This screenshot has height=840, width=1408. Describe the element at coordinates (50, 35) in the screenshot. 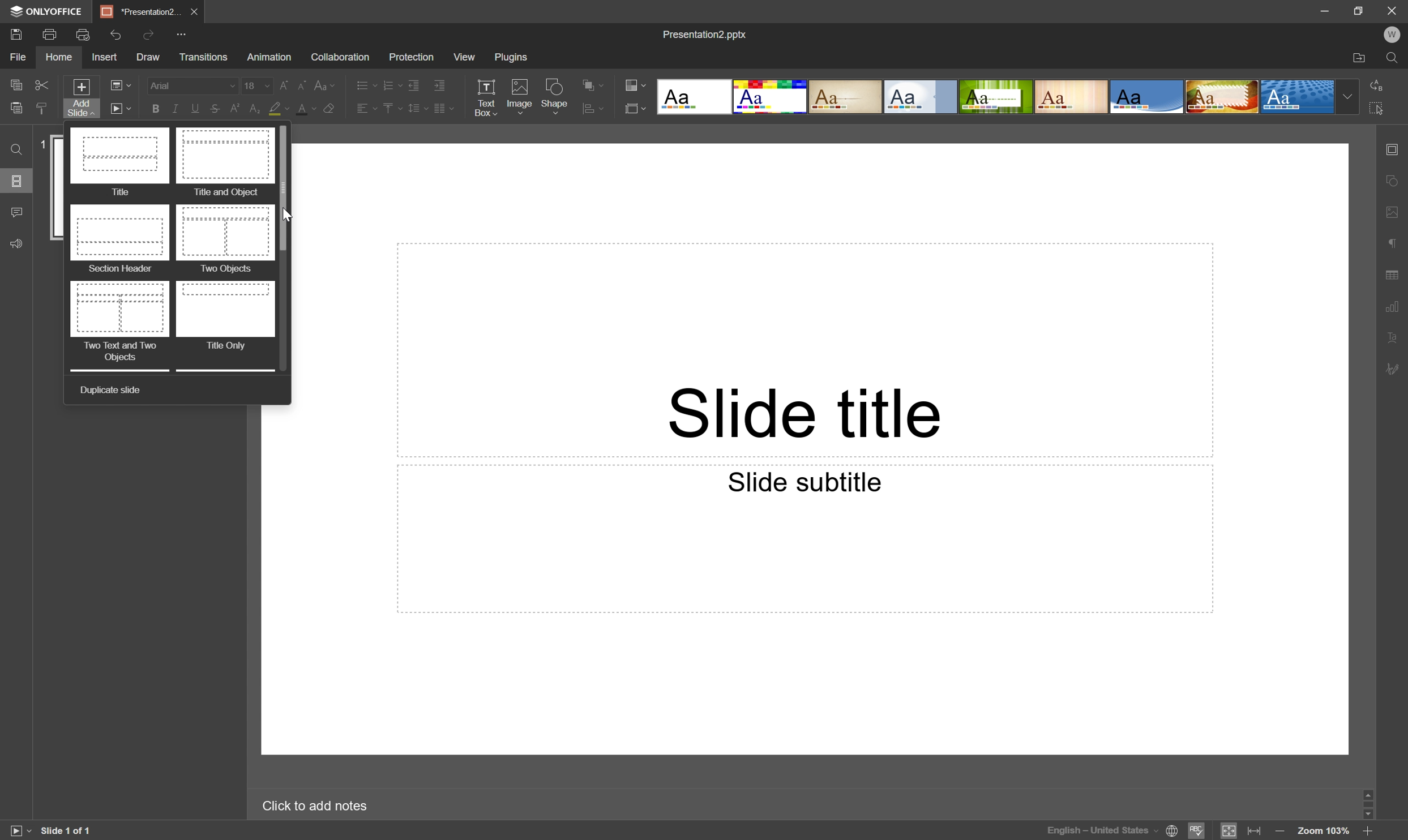

I see `Print file` at that location.